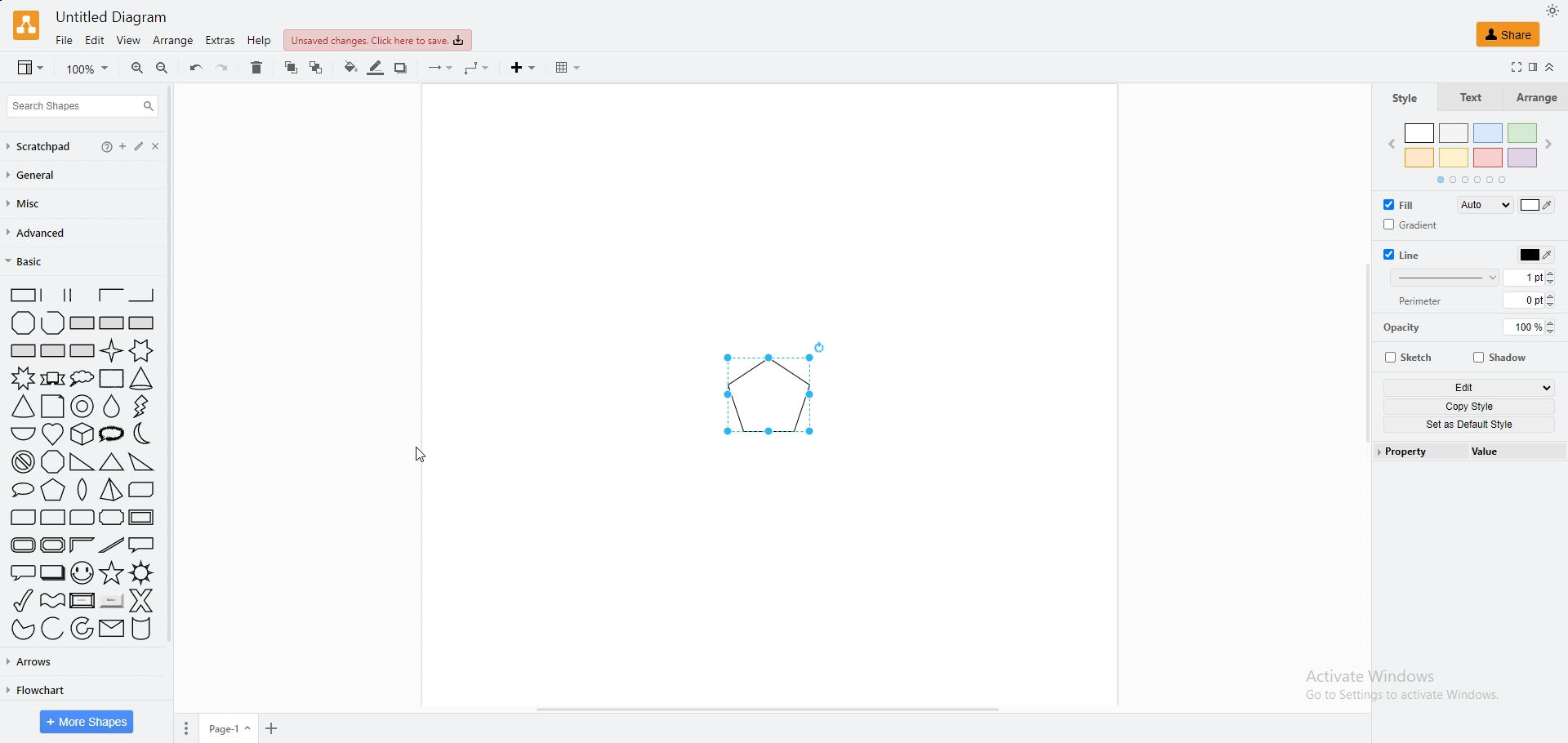 Image resolution: width=1568 pixels, height=743 pixels. What do you see at coordinates (1412, 358) in the screenshot?
I see `sketch` at bounding box center [1412, 358].